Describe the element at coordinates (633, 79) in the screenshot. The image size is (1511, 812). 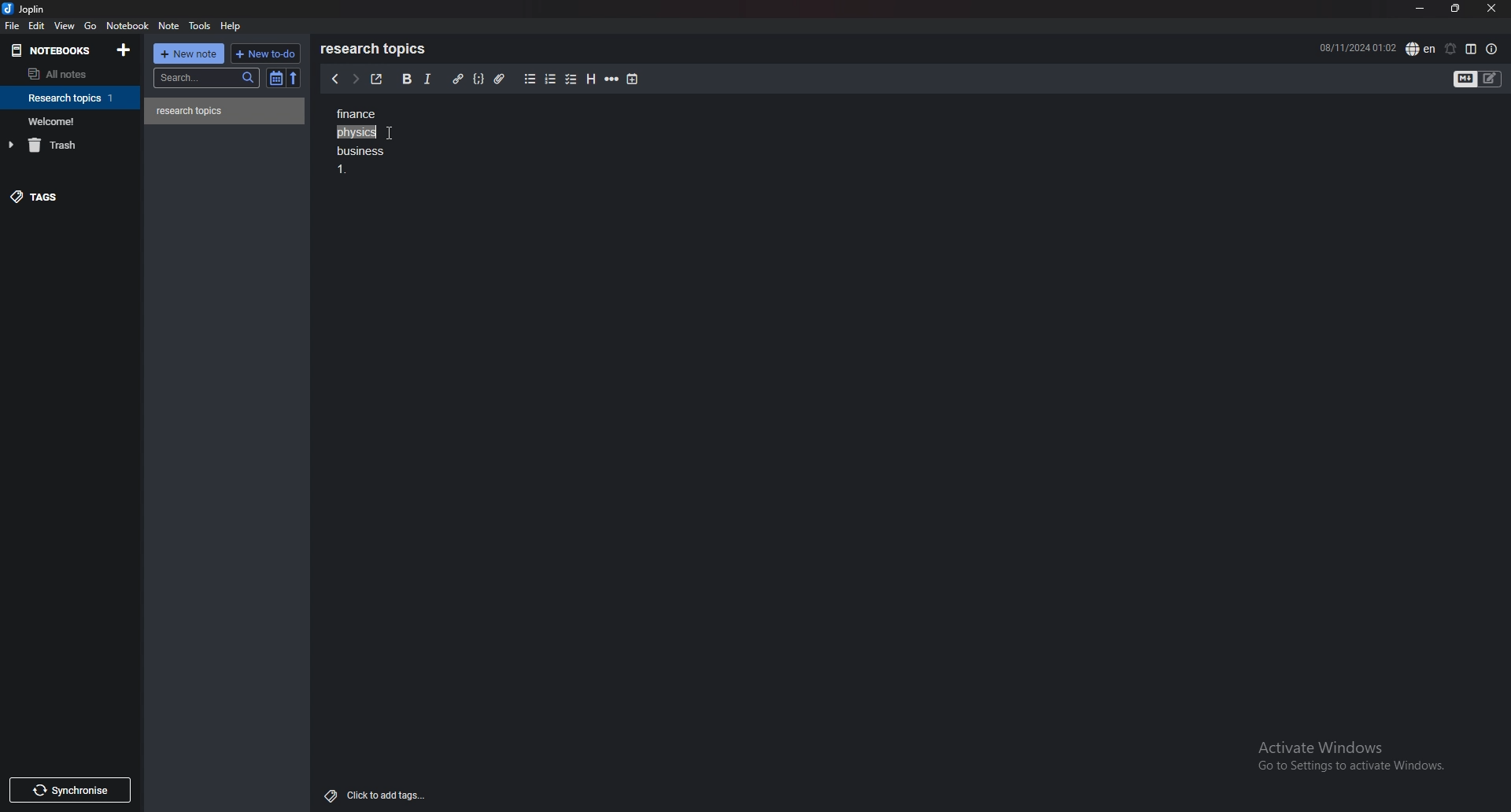
I see `add time` at that location.